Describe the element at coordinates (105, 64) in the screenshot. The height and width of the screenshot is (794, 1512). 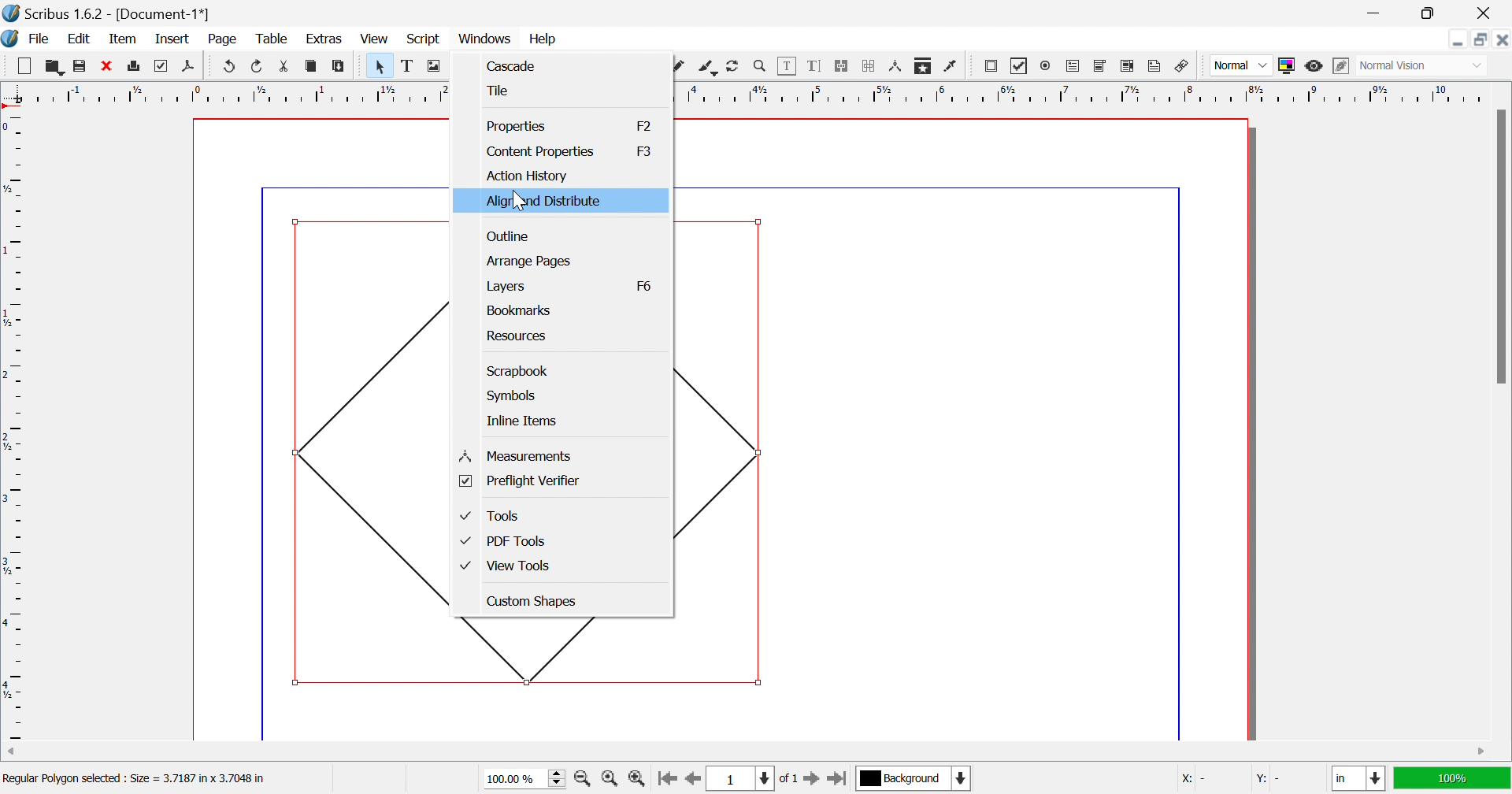
I see `Close` at that location.